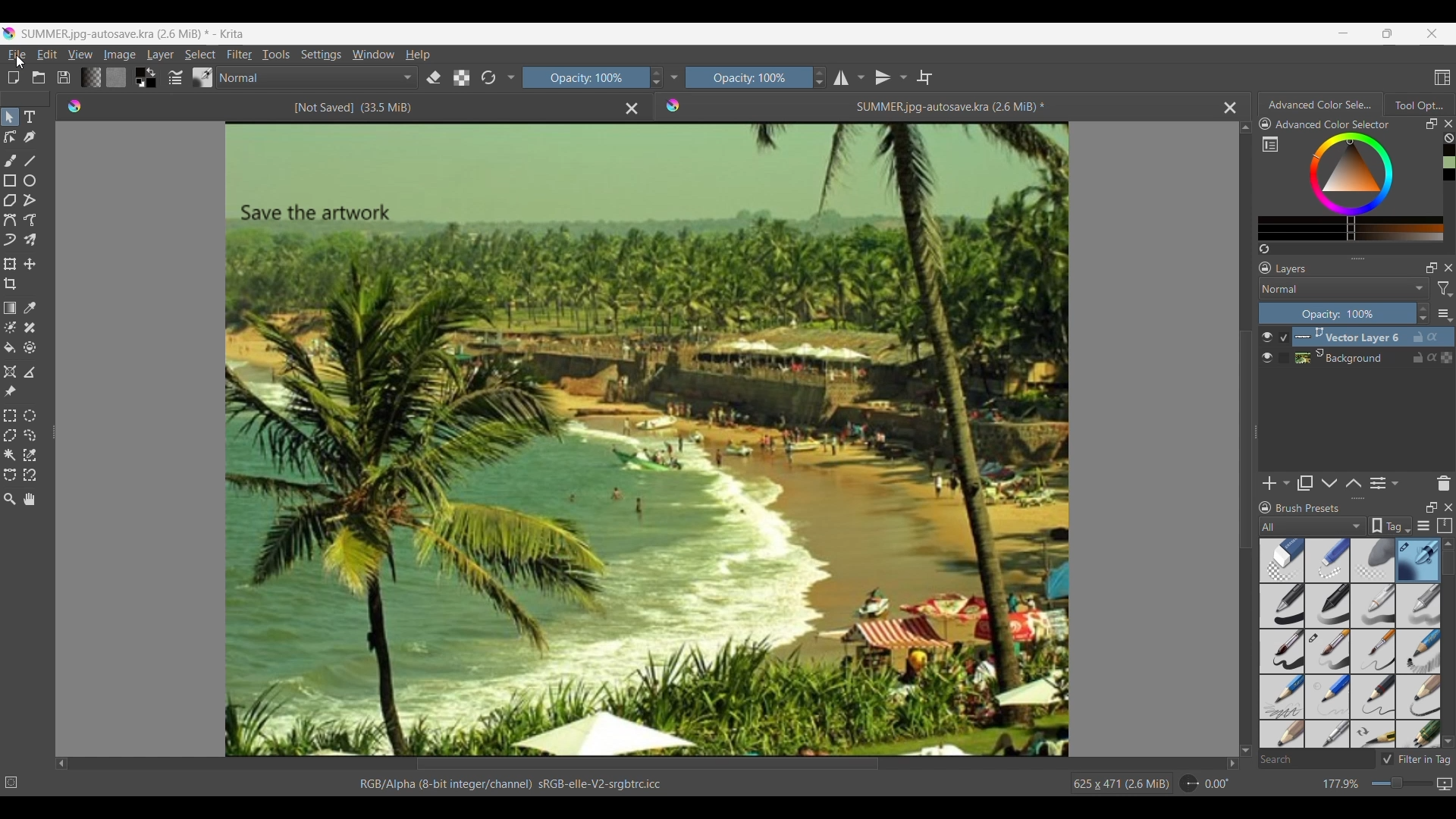 The height and width of the screenshot is (819, 1456). What do you see at coordinates (1431, 507) in the screenshot?
I see `Float panel` at bounding box center [1431, 507].